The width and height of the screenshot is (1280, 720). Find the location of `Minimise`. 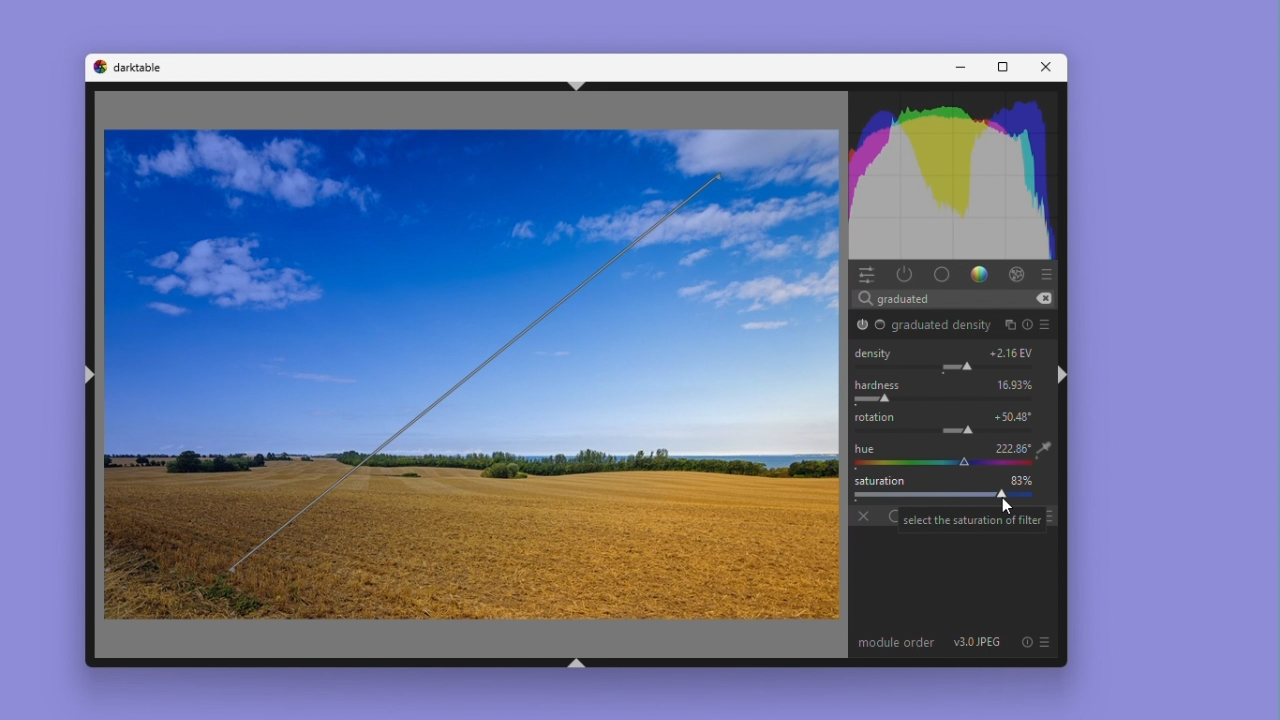

Minimise is located at coordinates (959, 67).